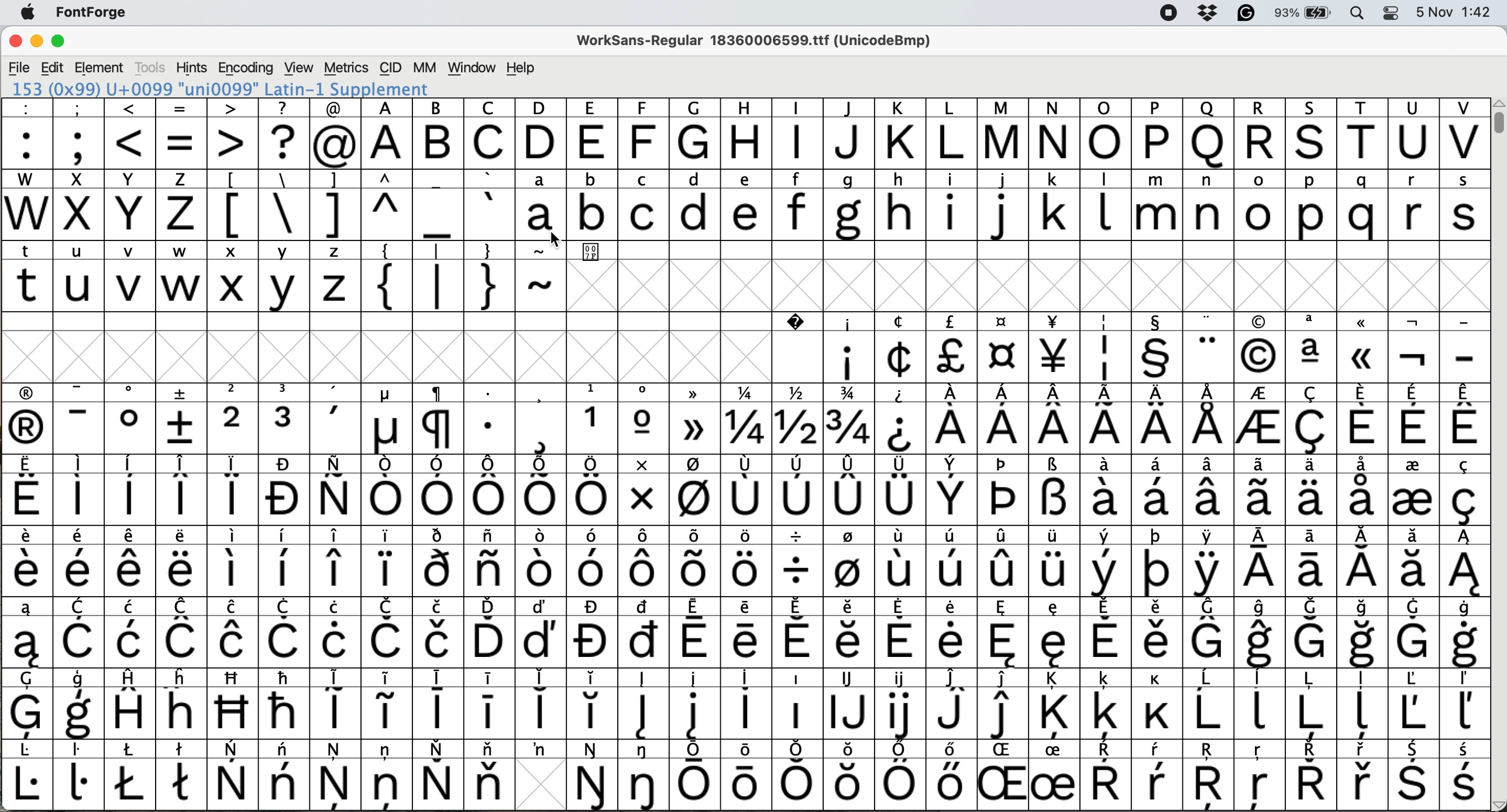 The height and width of the screenshot is (812, 1507). What do you see at coordinates (1315, 489) in the screenshot?
I see `symbol` at bounding box center [1315, 489].